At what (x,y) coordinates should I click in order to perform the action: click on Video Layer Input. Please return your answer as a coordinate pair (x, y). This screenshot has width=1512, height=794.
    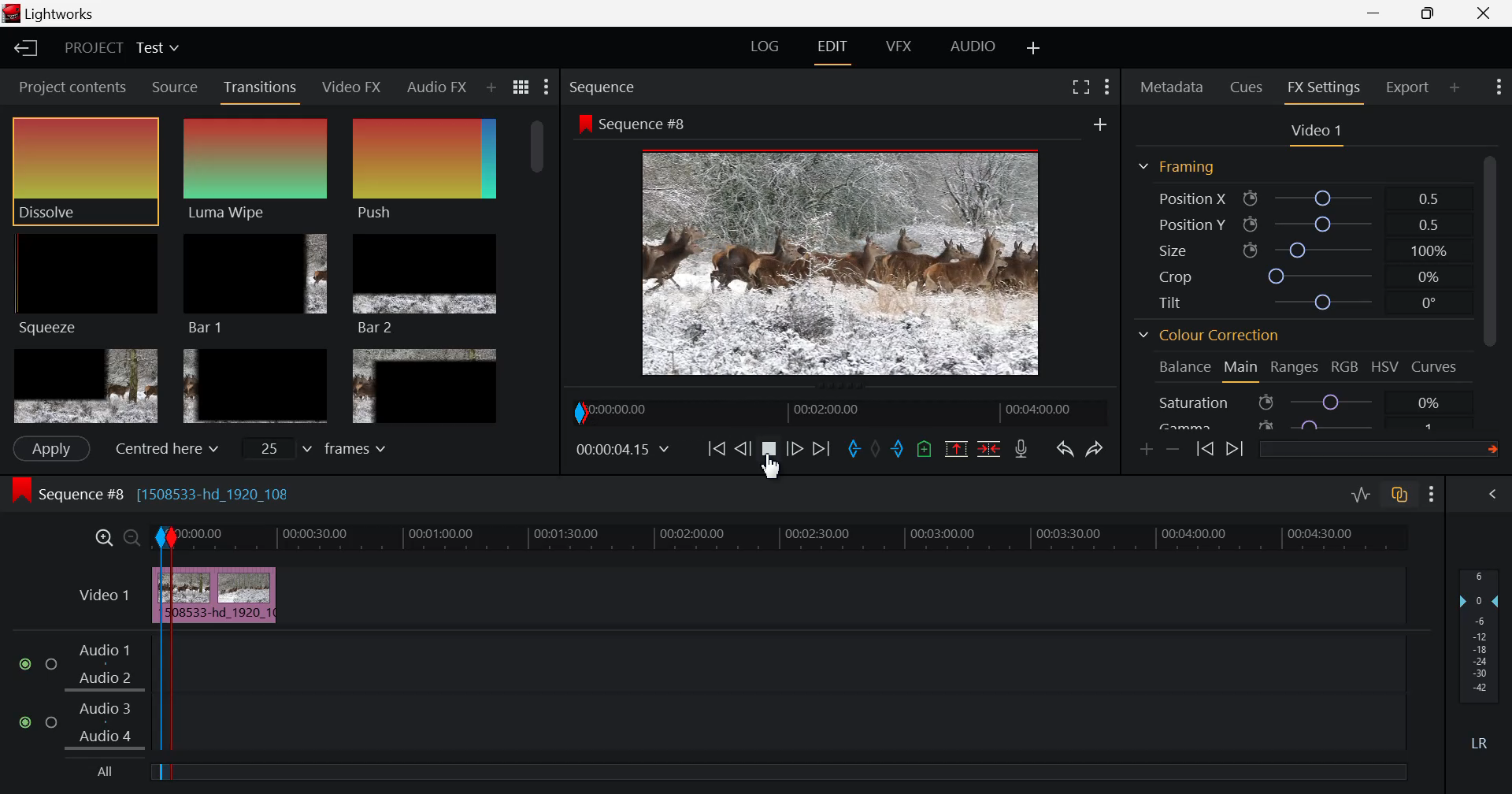
    Looking at the image, I should click on (100, 598).